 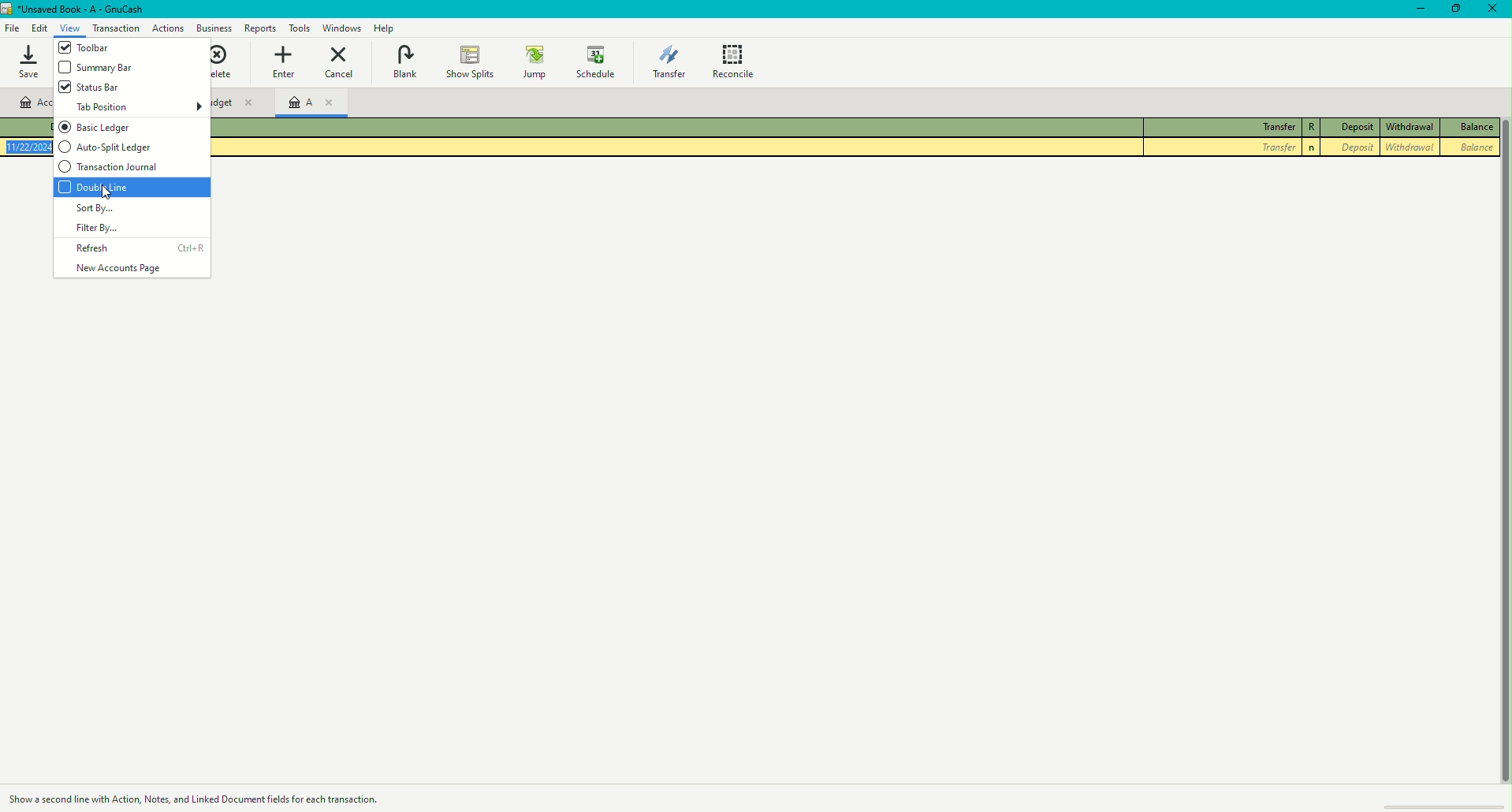 What do you see at coordinates (668, 60) in the screenshot?
I see `Transfer` at bounding box center [668, 60].